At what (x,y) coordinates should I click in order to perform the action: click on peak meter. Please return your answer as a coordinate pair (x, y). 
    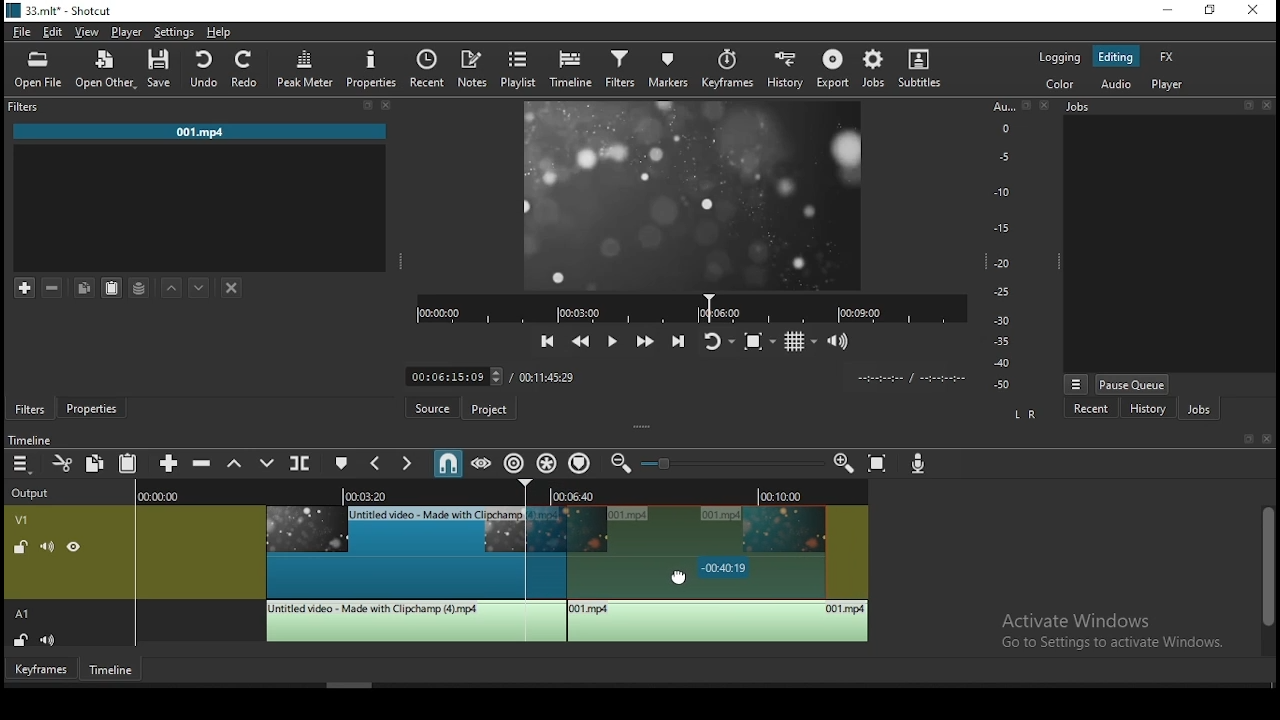
    Looking at the image, I should click on (304, 68).